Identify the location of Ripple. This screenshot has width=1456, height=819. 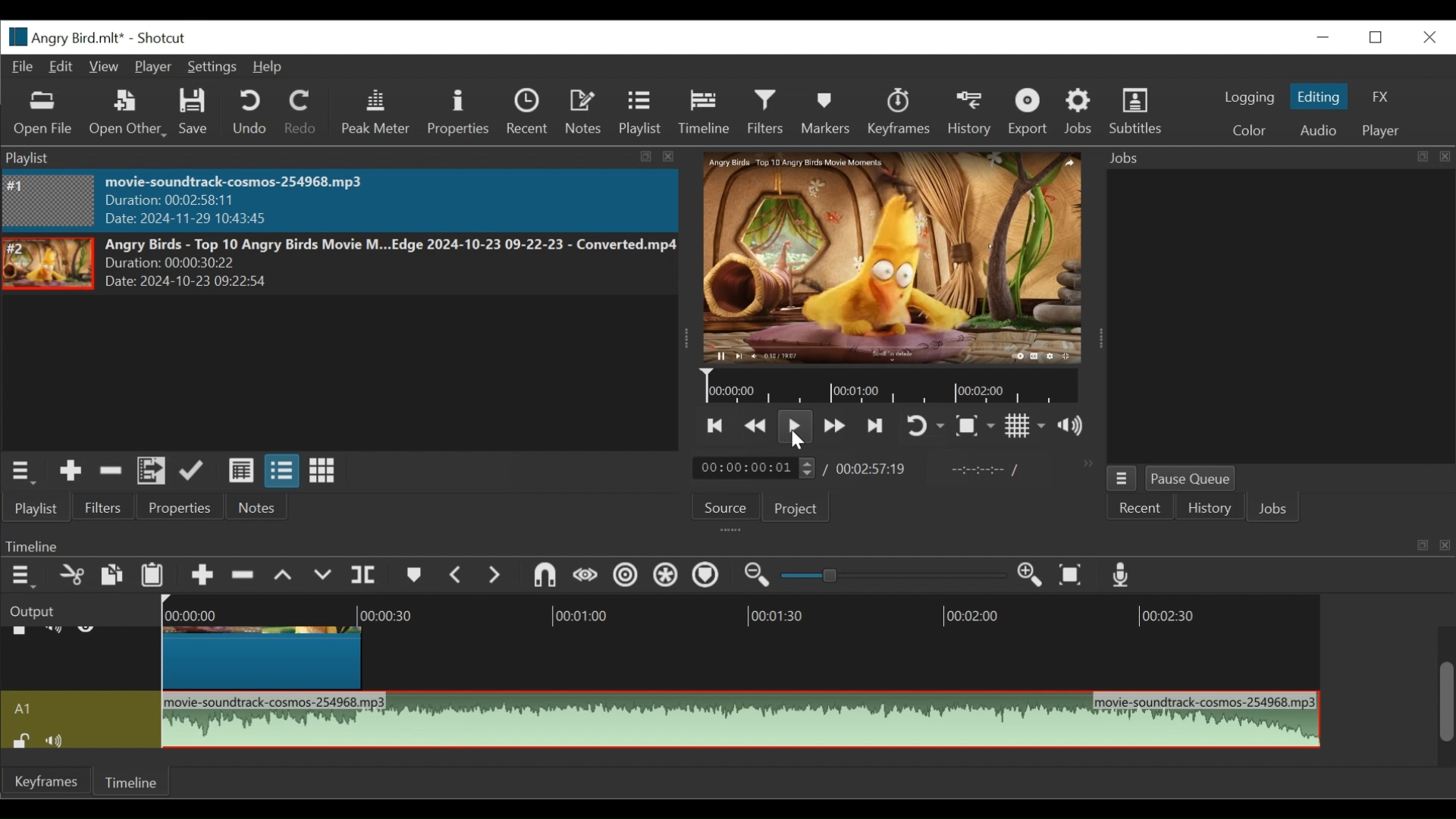
(625, 578).